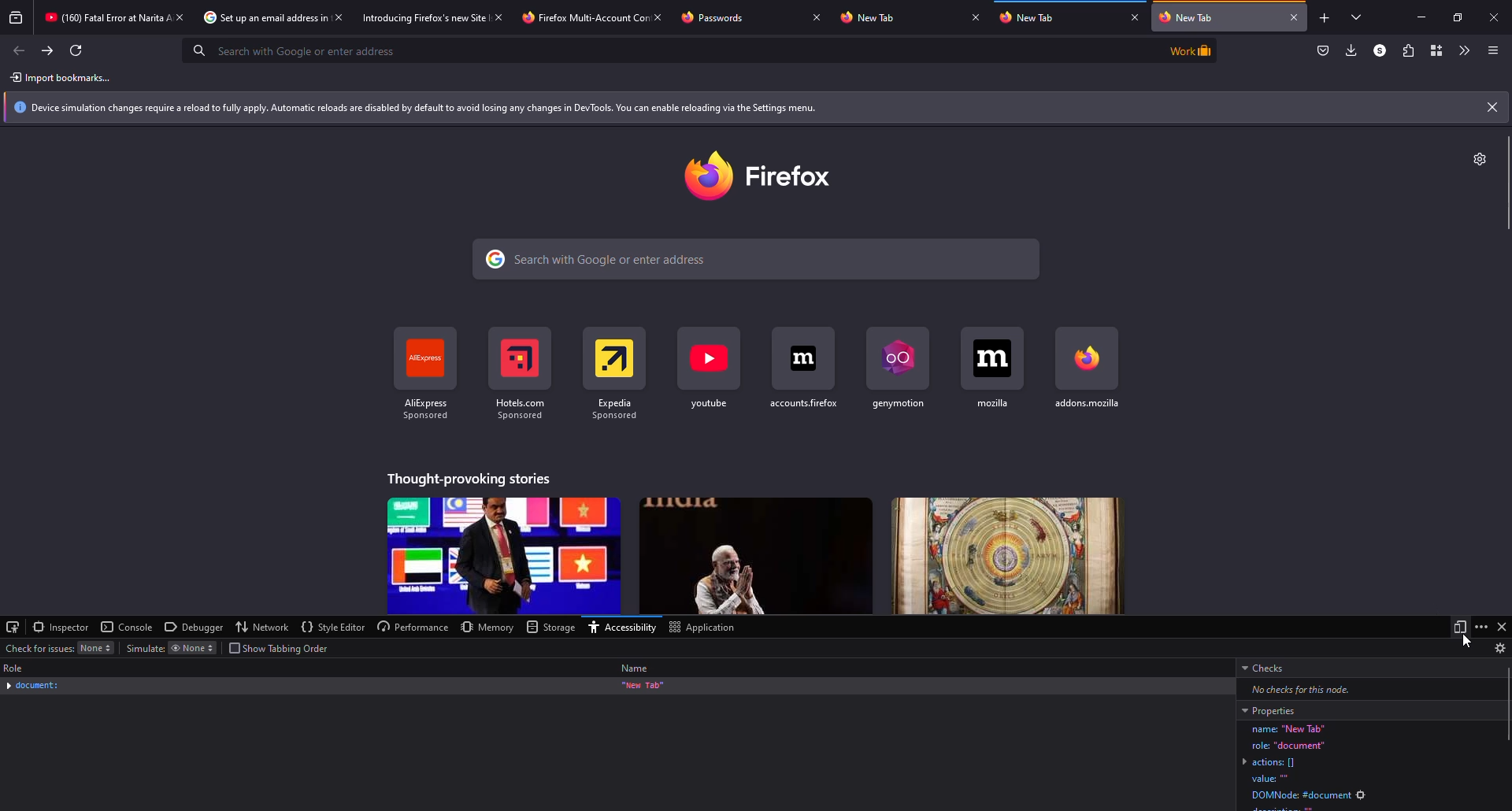 The width and height of the screenshot is (1512, 811). What do you see at coordinates (420, 19) in the screenshot?
I see `tab` at bounding box center [420, 19].